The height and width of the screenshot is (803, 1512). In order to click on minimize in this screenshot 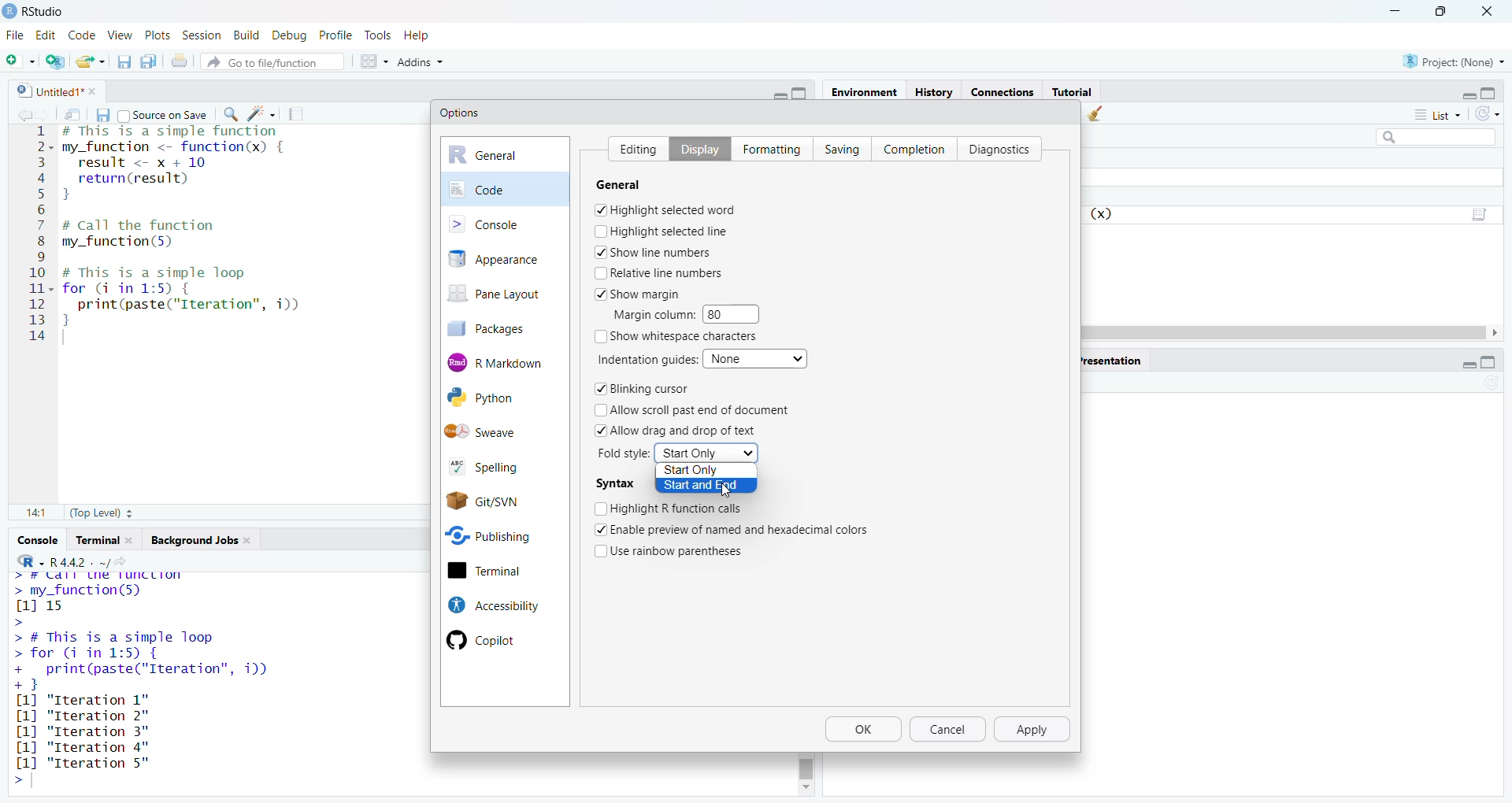, I will do `click(1464, 92)`.